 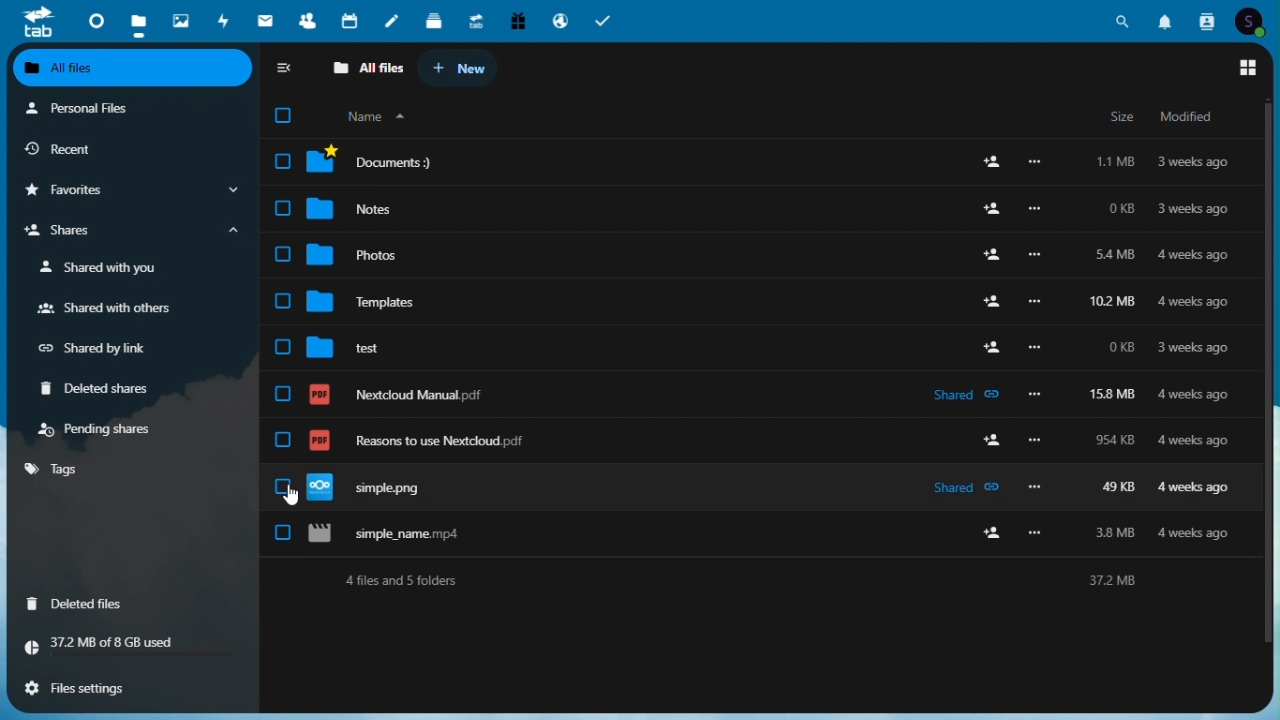 I want to click on files, so click(x=138, y=19).